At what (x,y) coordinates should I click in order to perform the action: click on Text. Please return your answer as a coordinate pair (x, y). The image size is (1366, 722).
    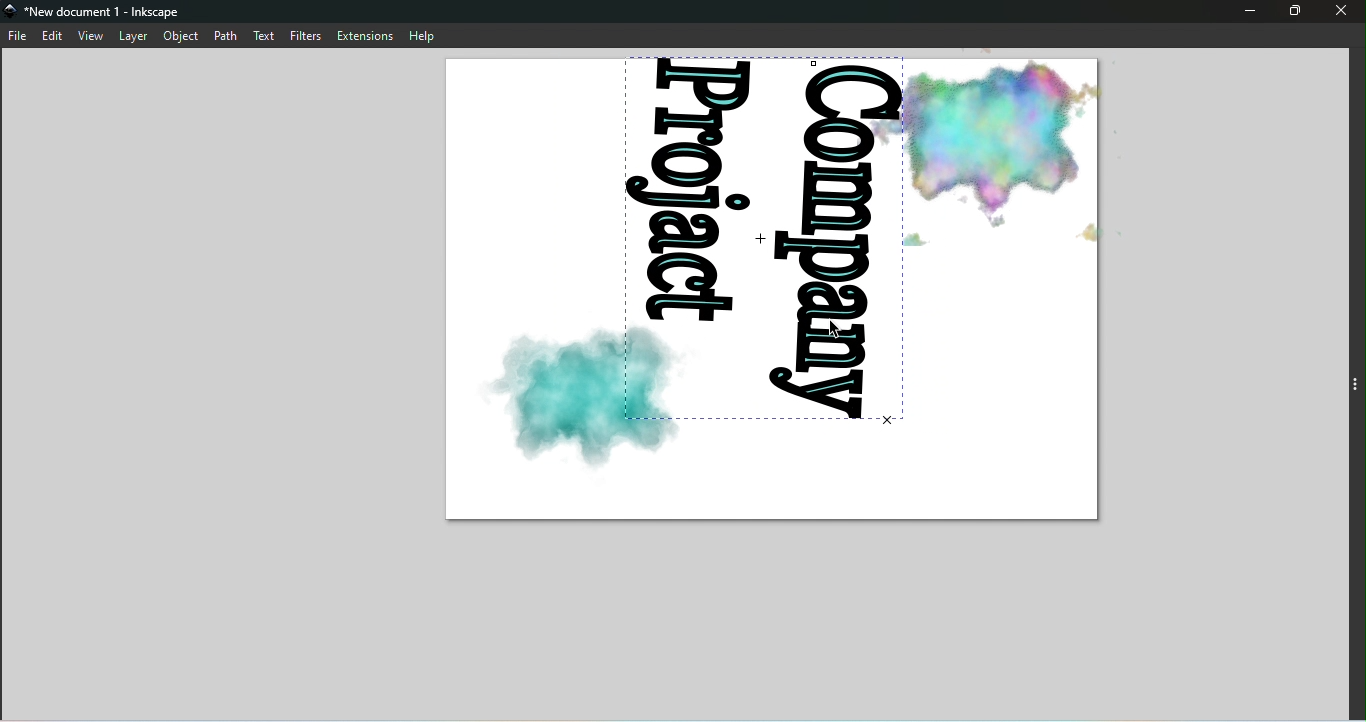
    Looking at the image, I should click on (266, 34).